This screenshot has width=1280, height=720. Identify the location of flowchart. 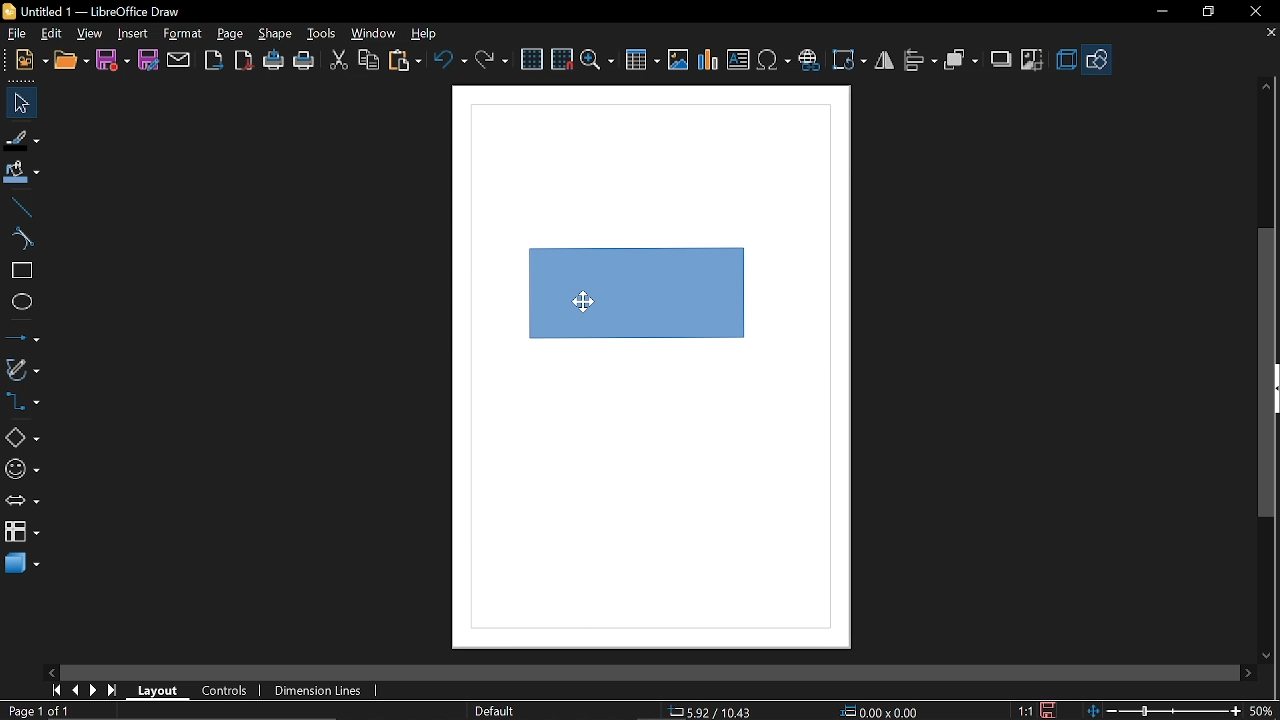
(21, 534).